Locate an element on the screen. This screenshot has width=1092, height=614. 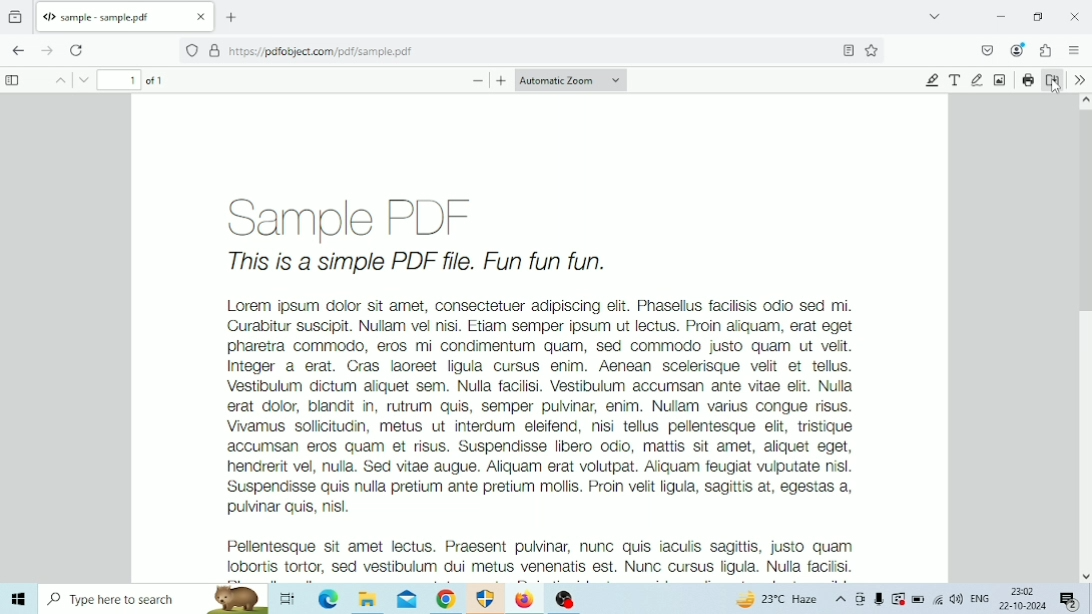
Open application menu is located at coordinates (1074, 50).